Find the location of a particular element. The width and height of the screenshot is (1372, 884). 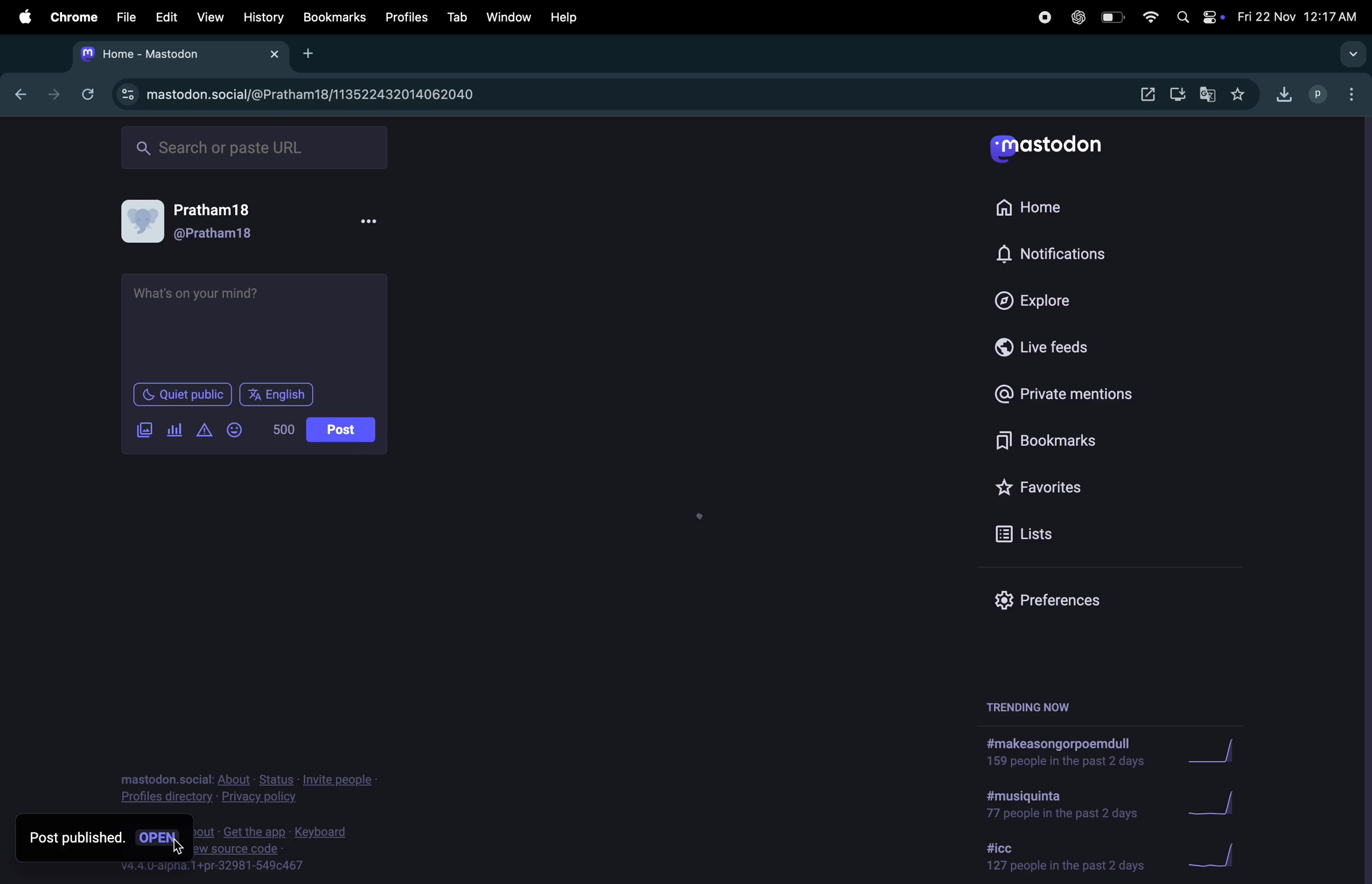

battery is located at coordinates (1111, 18).